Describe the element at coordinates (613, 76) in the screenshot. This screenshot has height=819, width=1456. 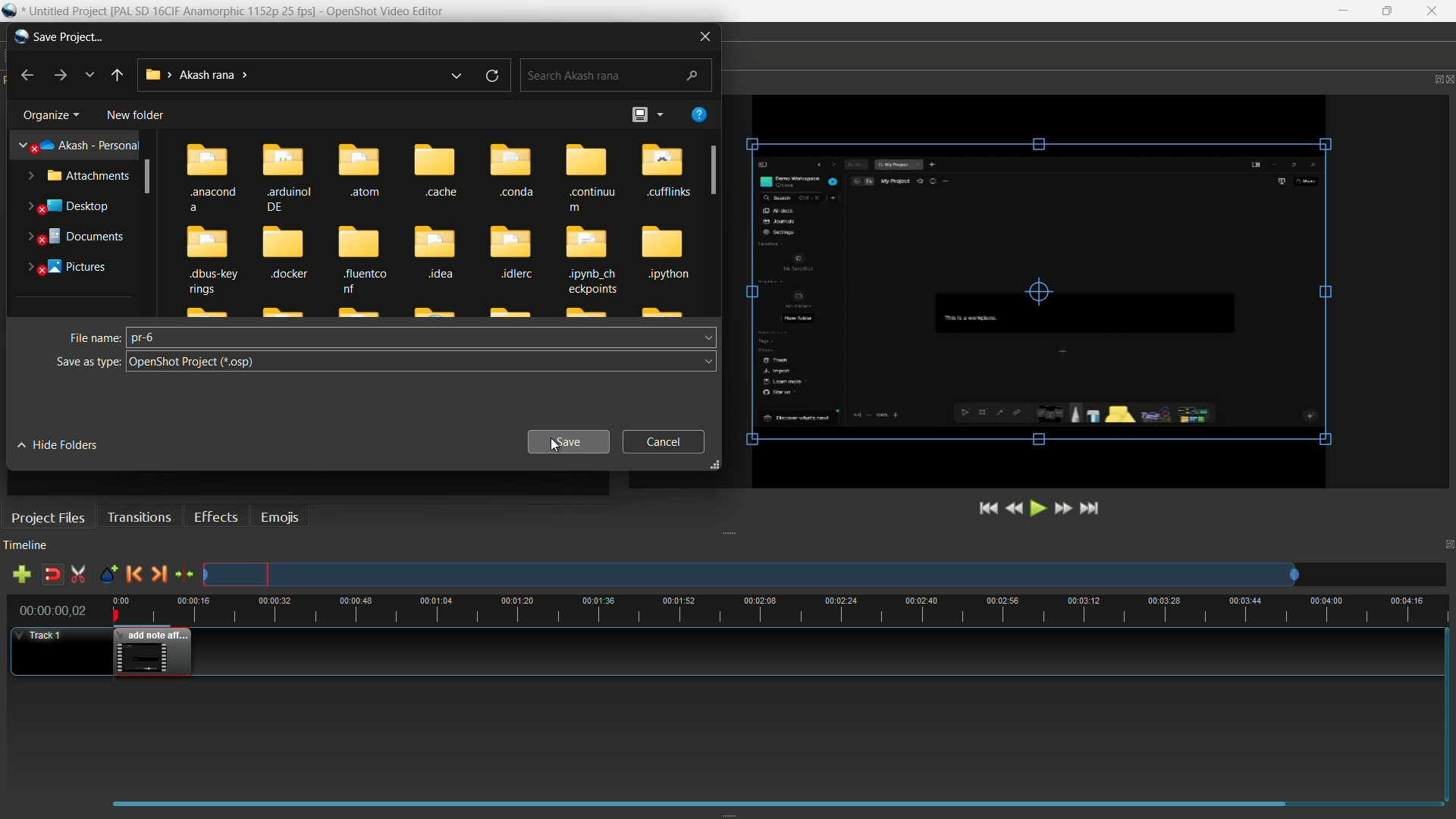
I see `search bar` at that location.